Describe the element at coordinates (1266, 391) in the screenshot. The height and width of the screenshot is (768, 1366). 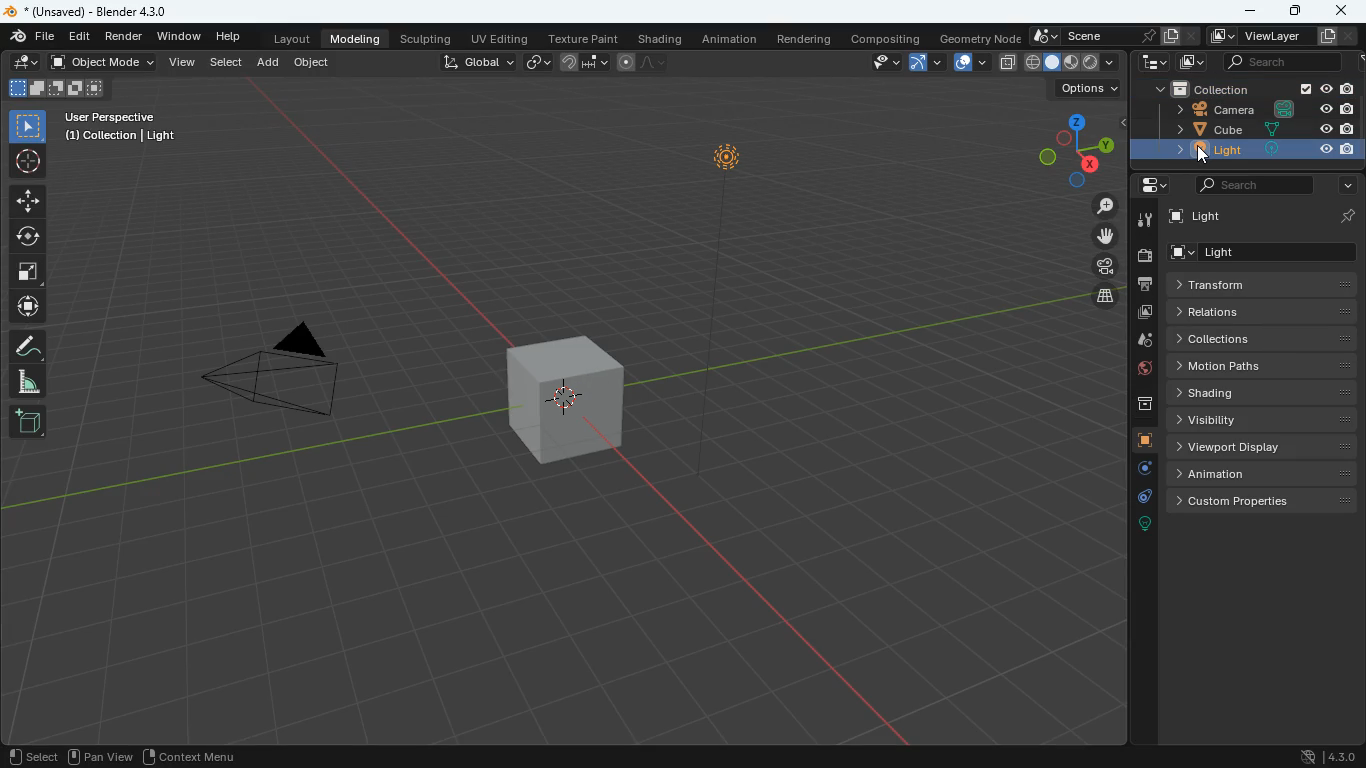
I see `shading` at that location.